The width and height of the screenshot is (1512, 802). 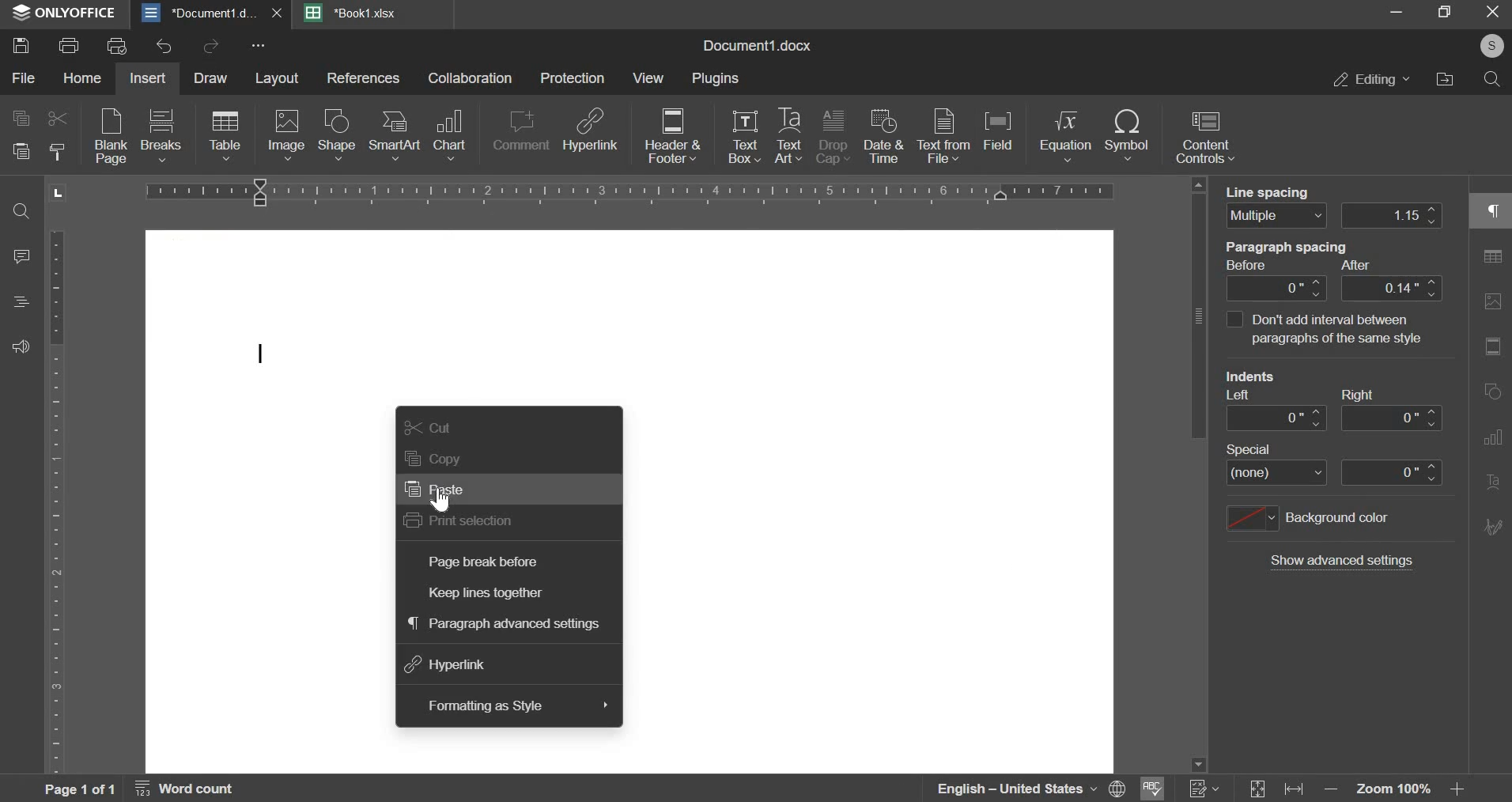 What do you see at coordinates (788, 137) in the screenshot?
I see `text art` at bounding box center [788, 137].